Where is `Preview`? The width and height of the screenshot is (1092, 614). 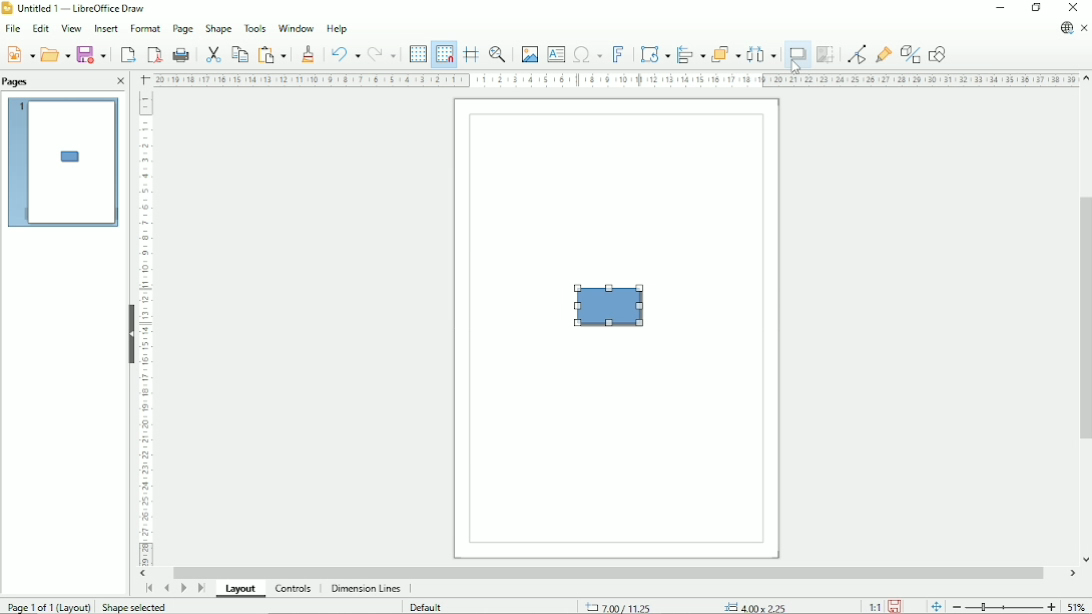 Preview is located at coordinates (65, 162).